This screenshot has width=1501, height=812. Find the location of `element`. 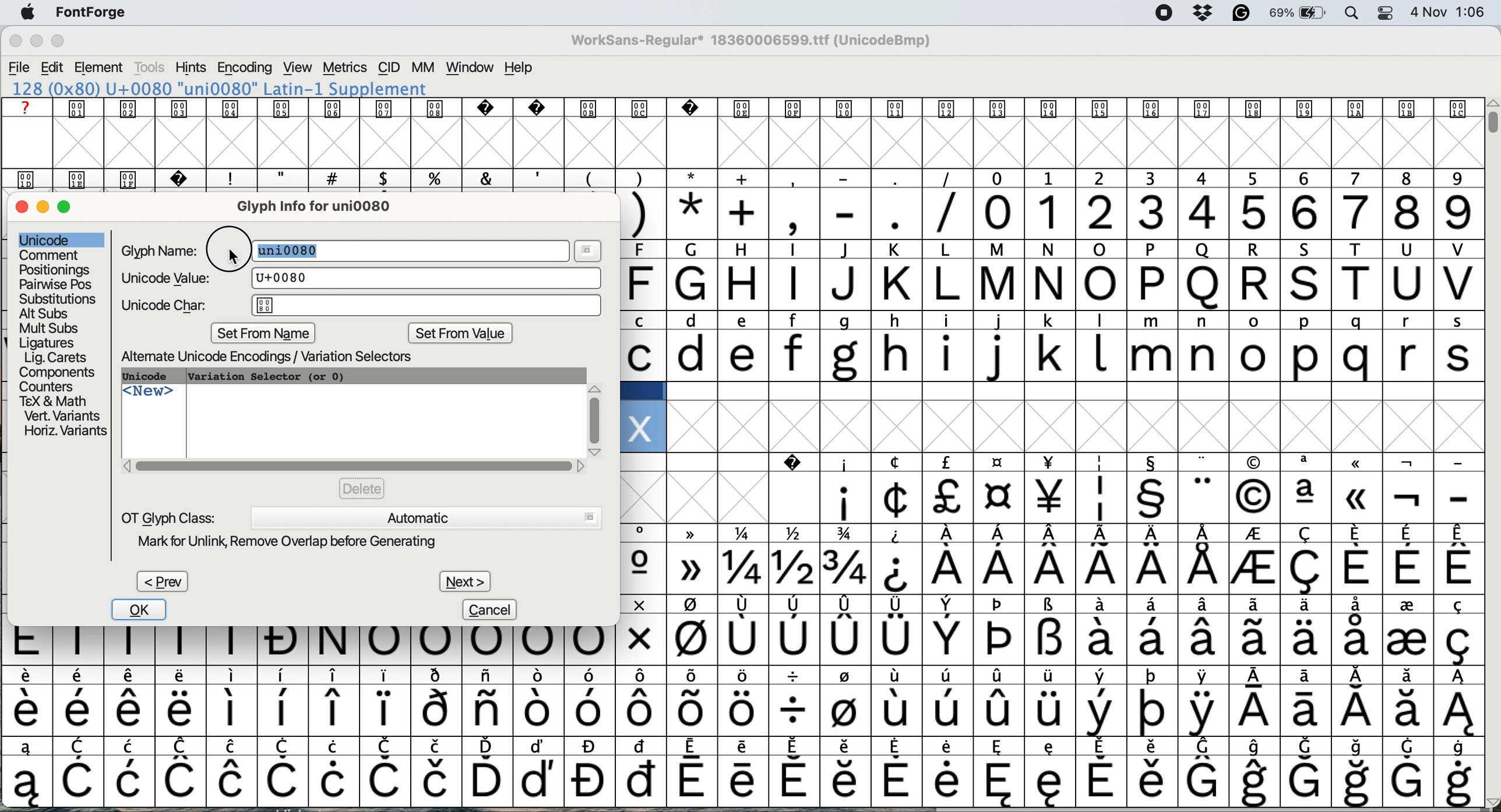

element is located at coordinates (101, 68).